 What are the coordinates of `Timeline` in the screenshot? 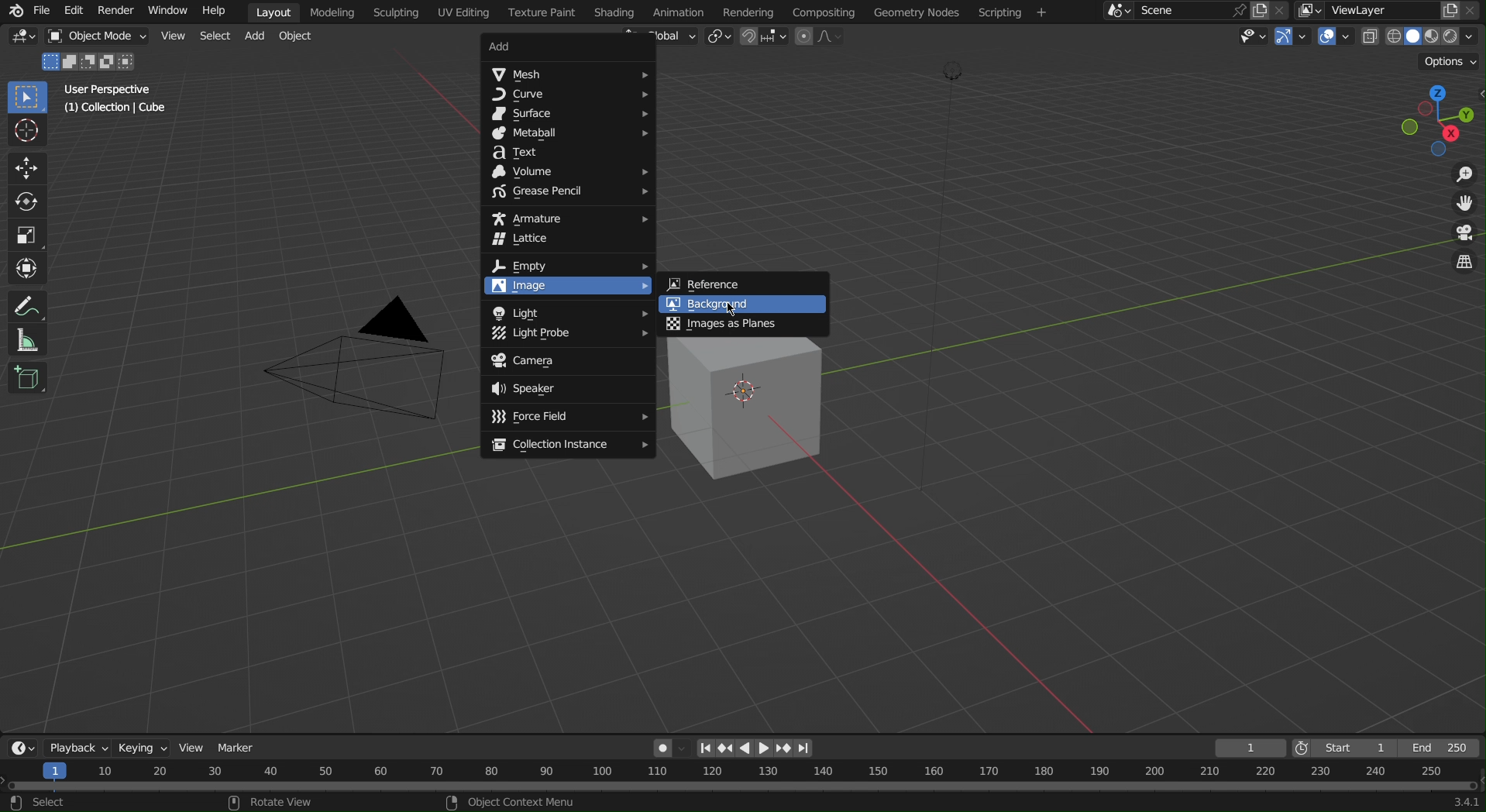 It's located at (743, 787).